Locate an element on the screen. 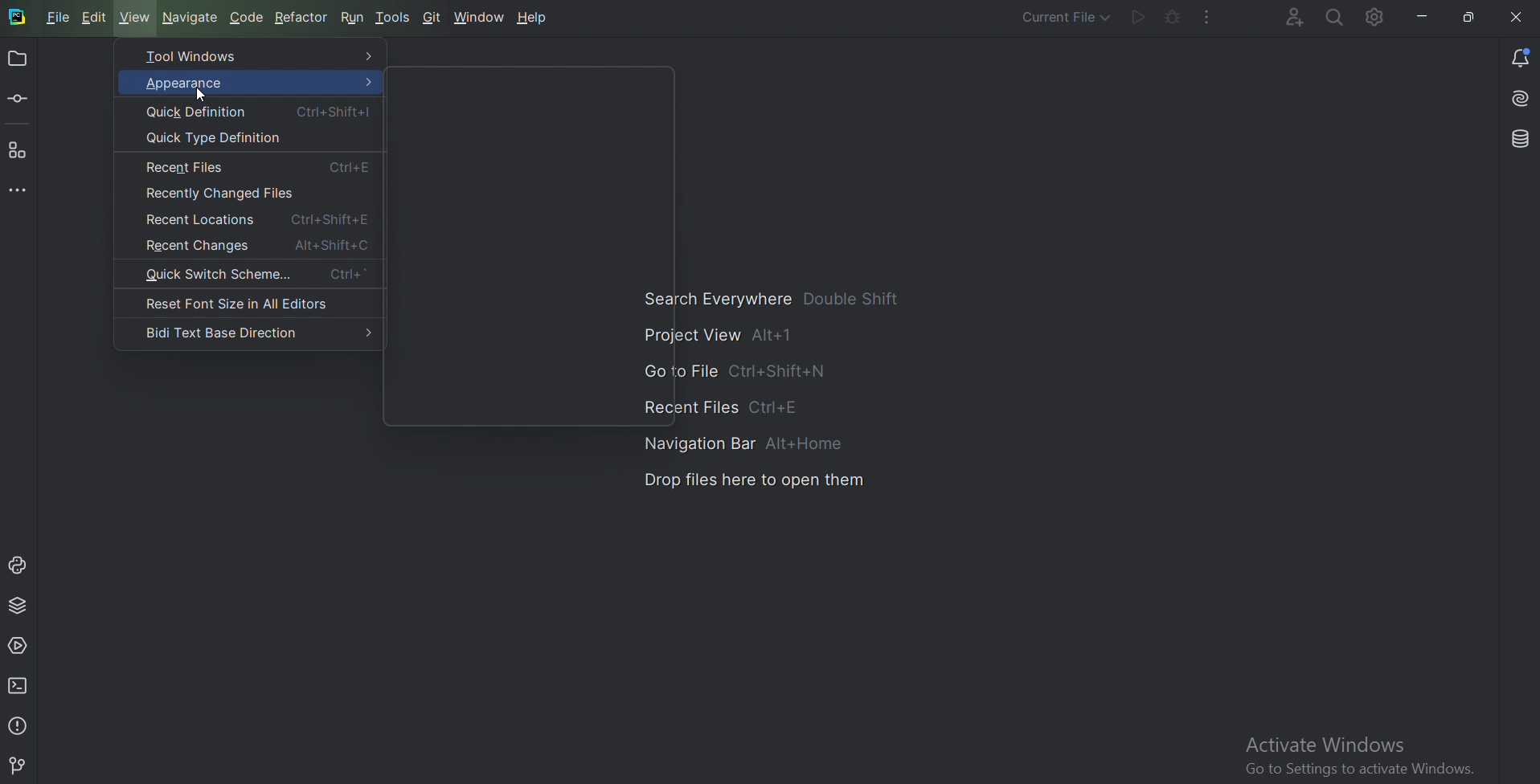 This screenshot has width=1540, height=784. Help is located at coordinates (533, 18).